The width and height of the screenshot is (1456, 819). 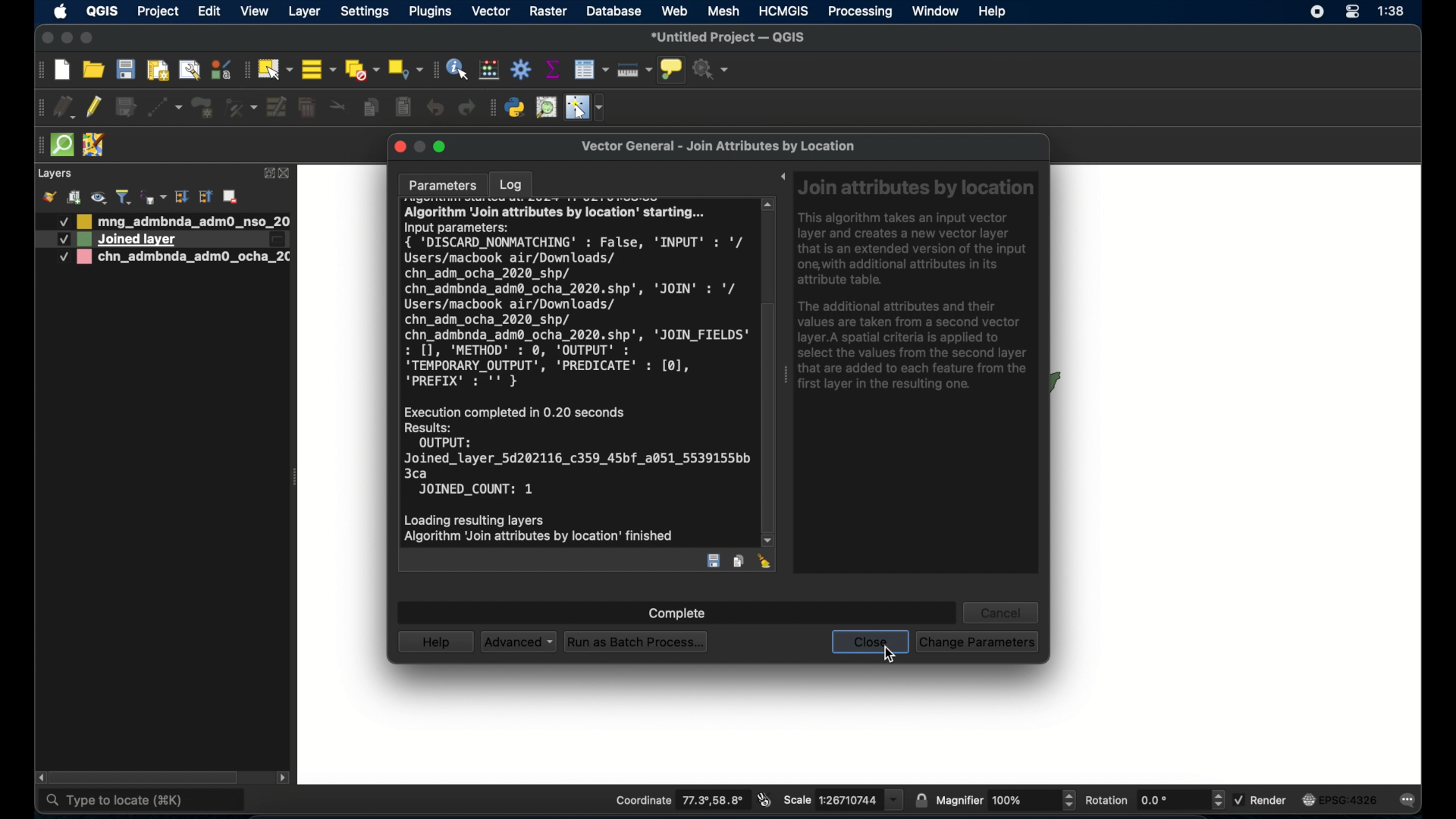 What do you see at coordinates (861, 13) in the screenshot?
I see `processing` at bounding box center [861, 13].